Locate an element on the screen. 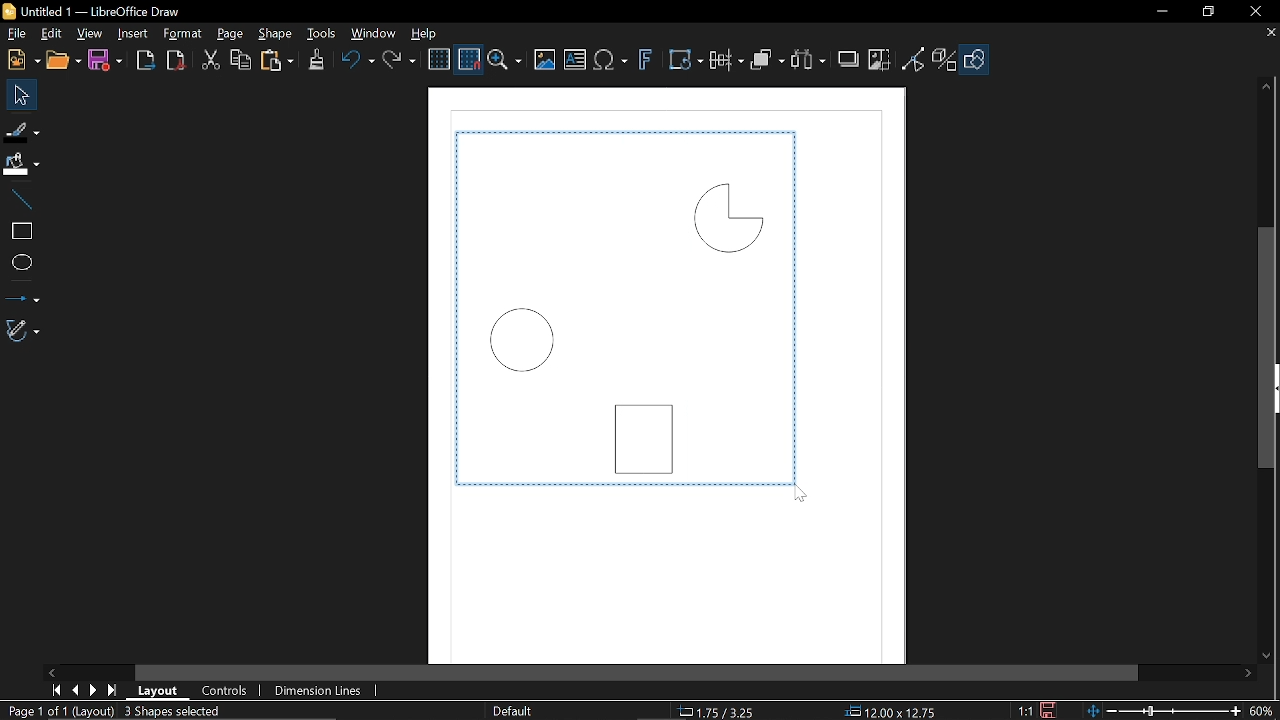 This screenshot has height=720, width=1280. Circle is located at coordinates (524, 341).